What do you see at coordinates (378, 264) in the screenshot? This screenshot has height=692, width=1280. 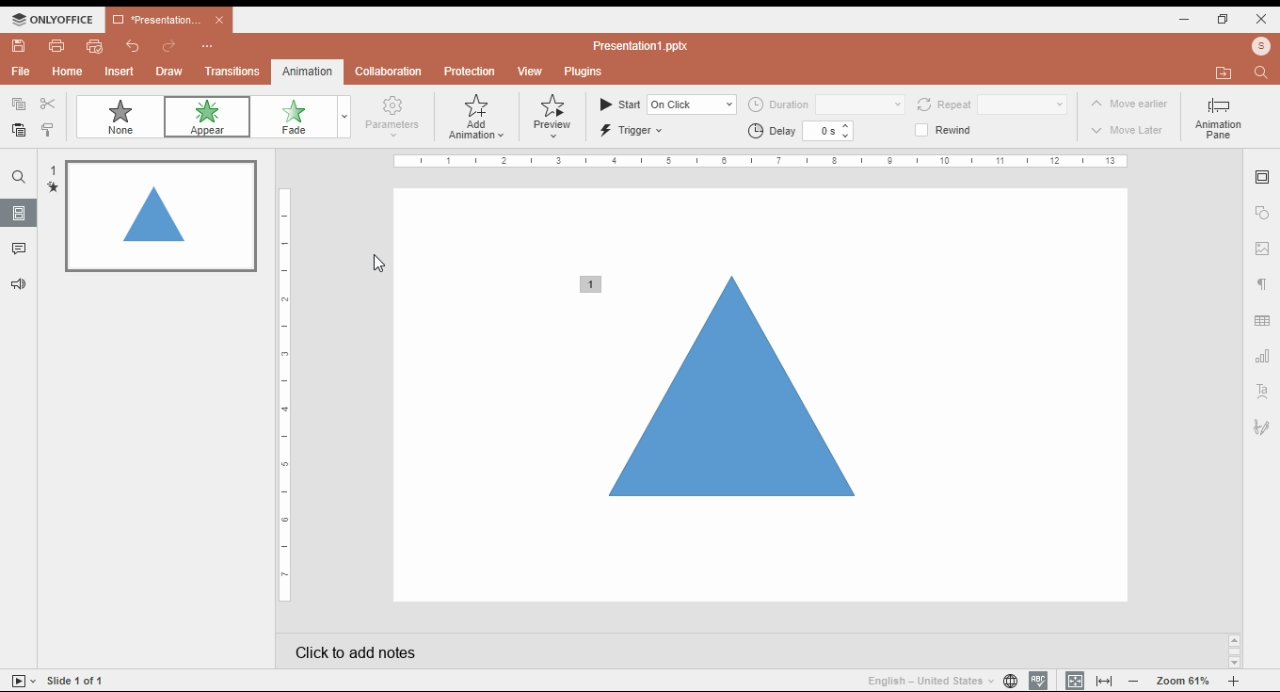 I see `mouse pointer` at bounding box center [378, 264].